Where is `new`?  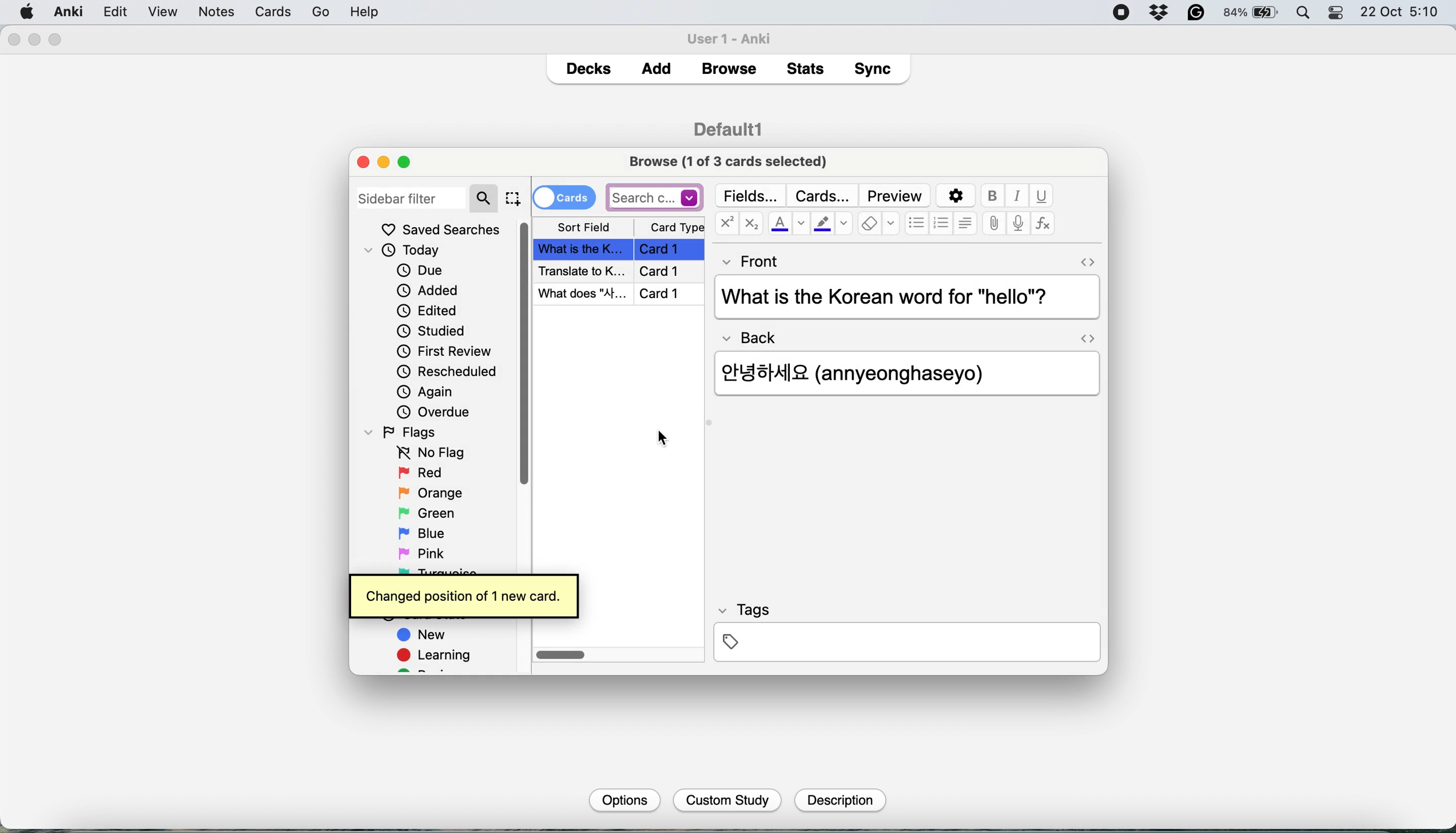
new is located at coordinates (423, 636).